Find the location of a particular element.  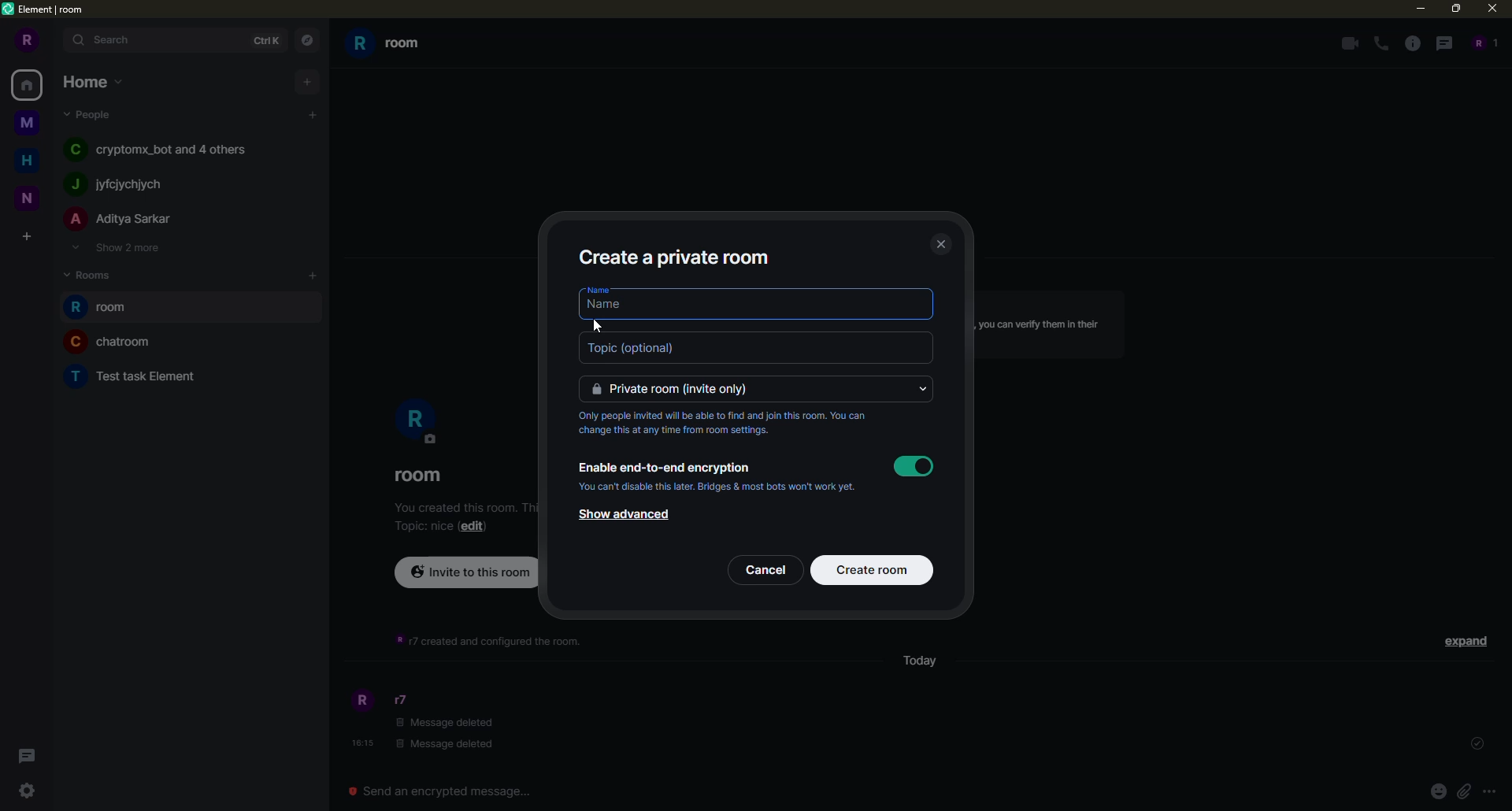

search is located at coordinates (110, 41).